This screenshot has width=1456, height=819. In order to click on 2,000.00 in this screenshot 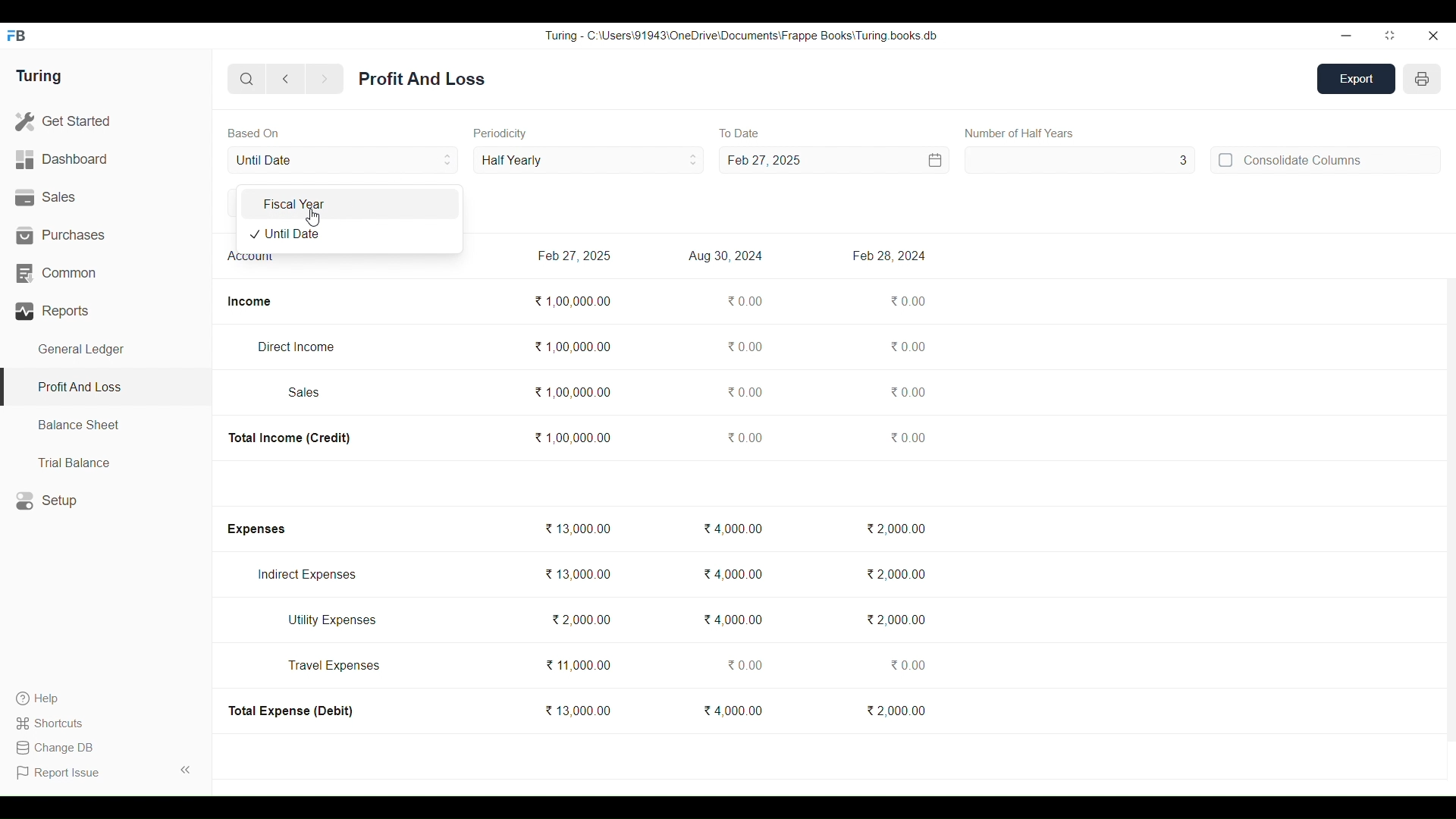, I will do `click(580, 619)`.